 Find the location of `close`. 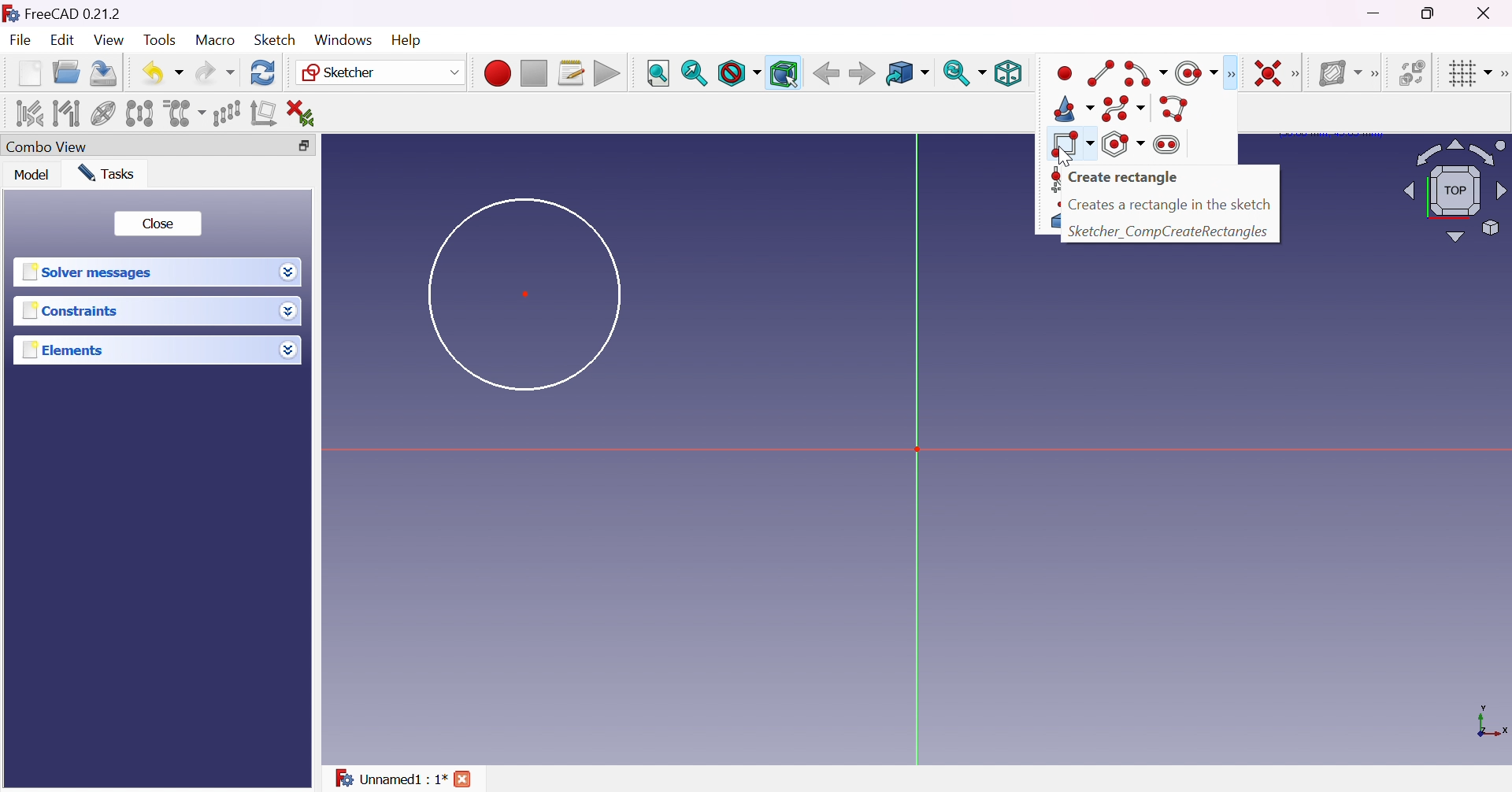

close is located at coordinates (465, 779).